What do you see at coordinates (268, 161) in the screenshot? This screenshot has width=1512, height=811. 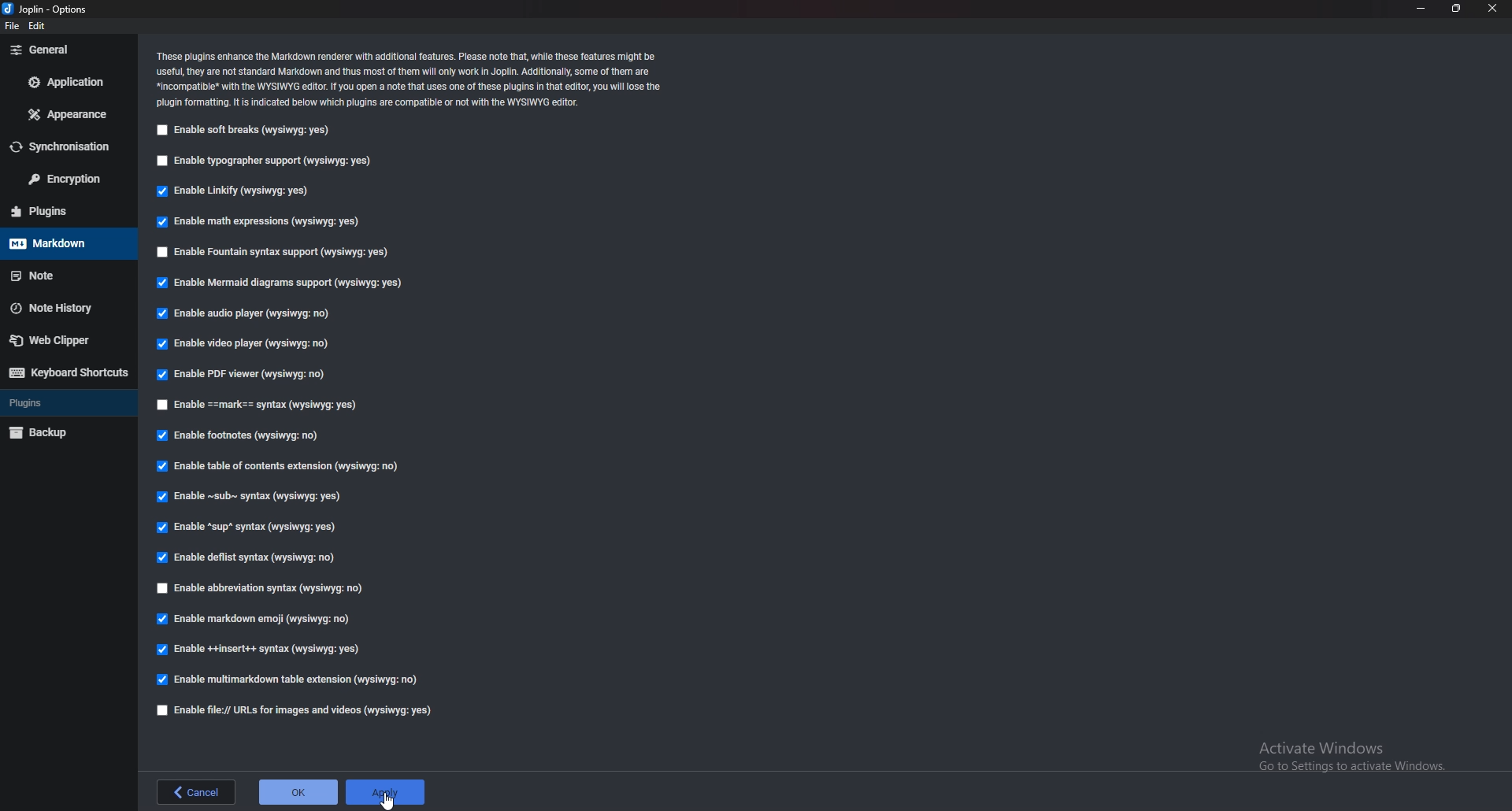 I see `Enable typographer support` at bounding box center [268, 161].